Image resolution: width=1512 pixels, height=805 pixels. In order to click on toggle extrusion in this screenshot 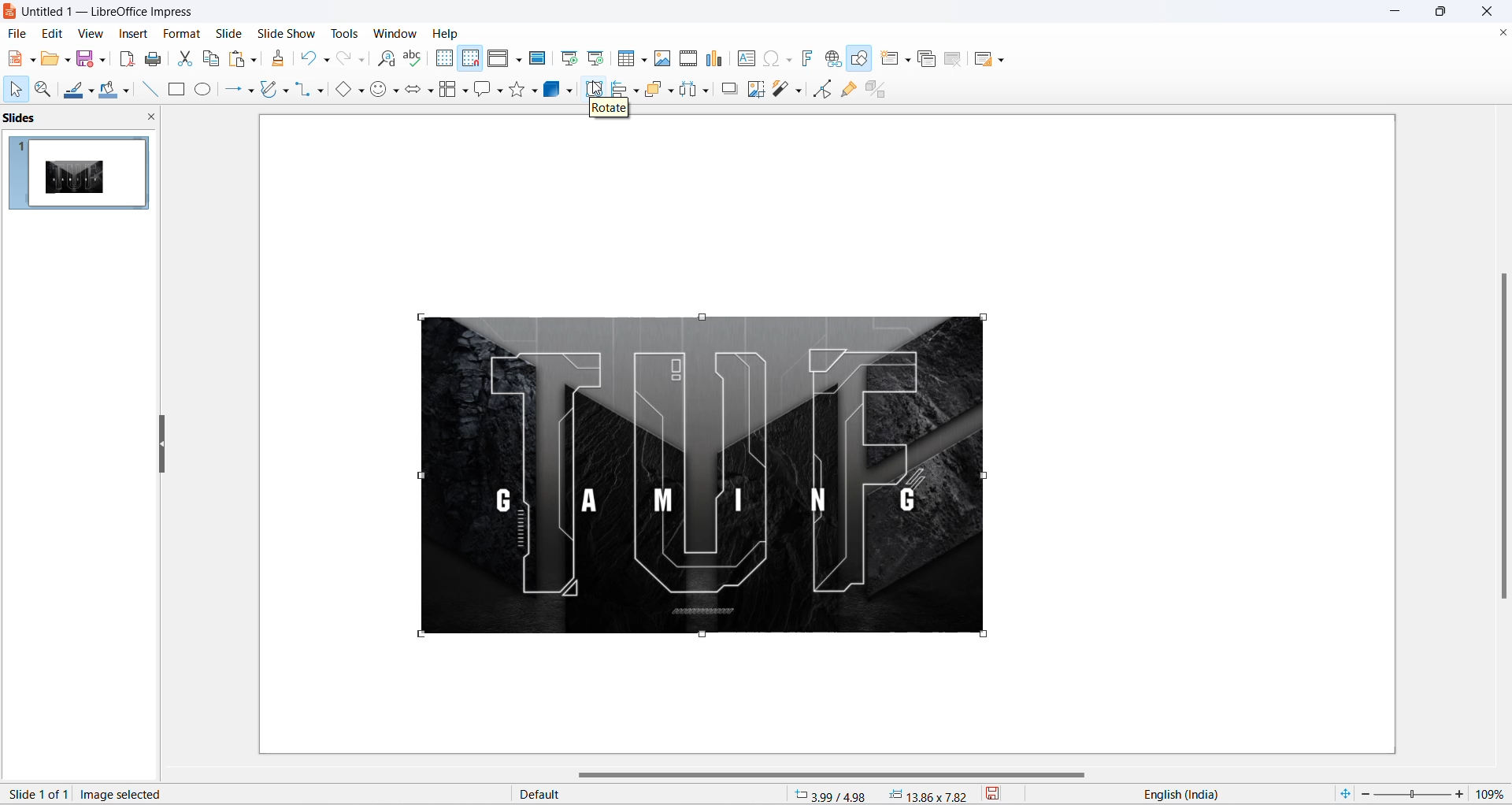, I will do `click(881, 87)`.